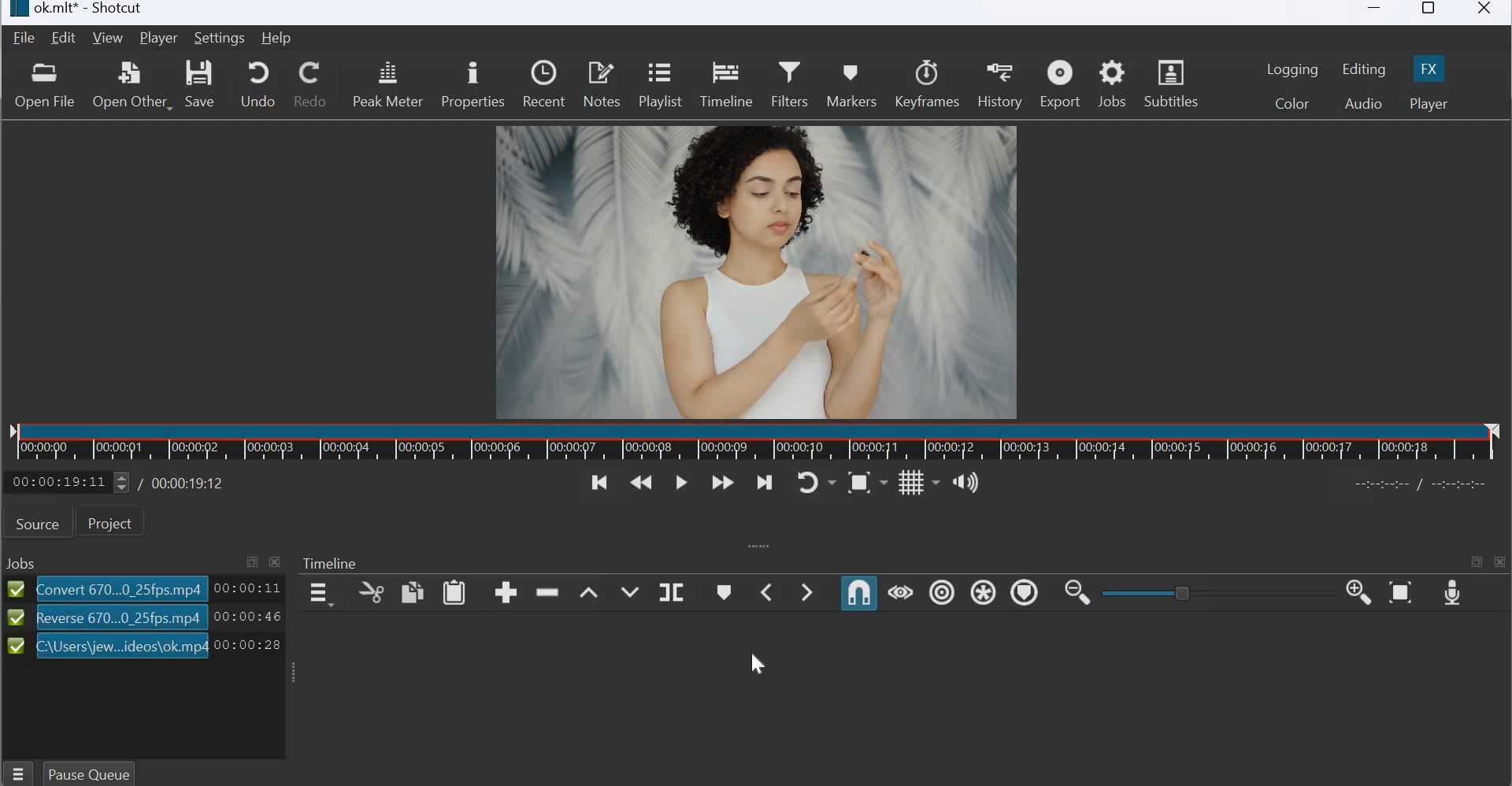  Describe the element at coordinates (157, 39) in the screenshot. I see `Player` at that location.